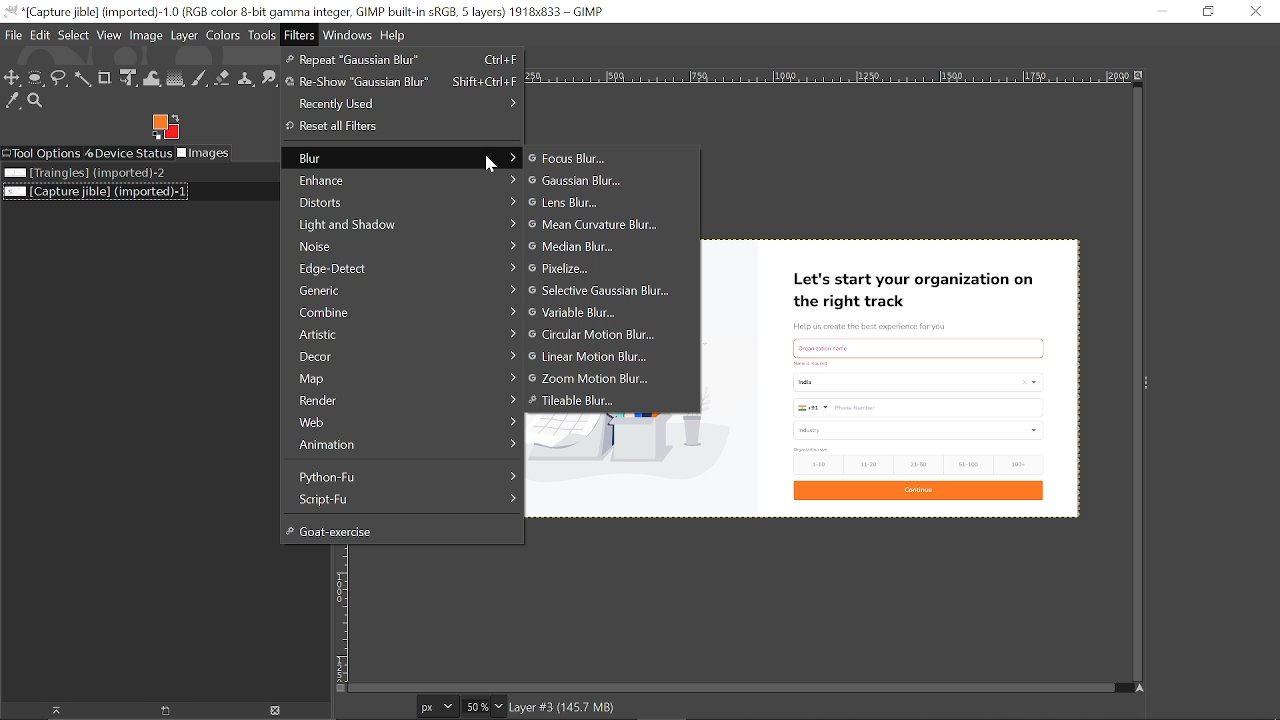  What do you see at coordinates (106, 79) in the screenshot?
I see `Crop tool` at bounding box center [106, 79].